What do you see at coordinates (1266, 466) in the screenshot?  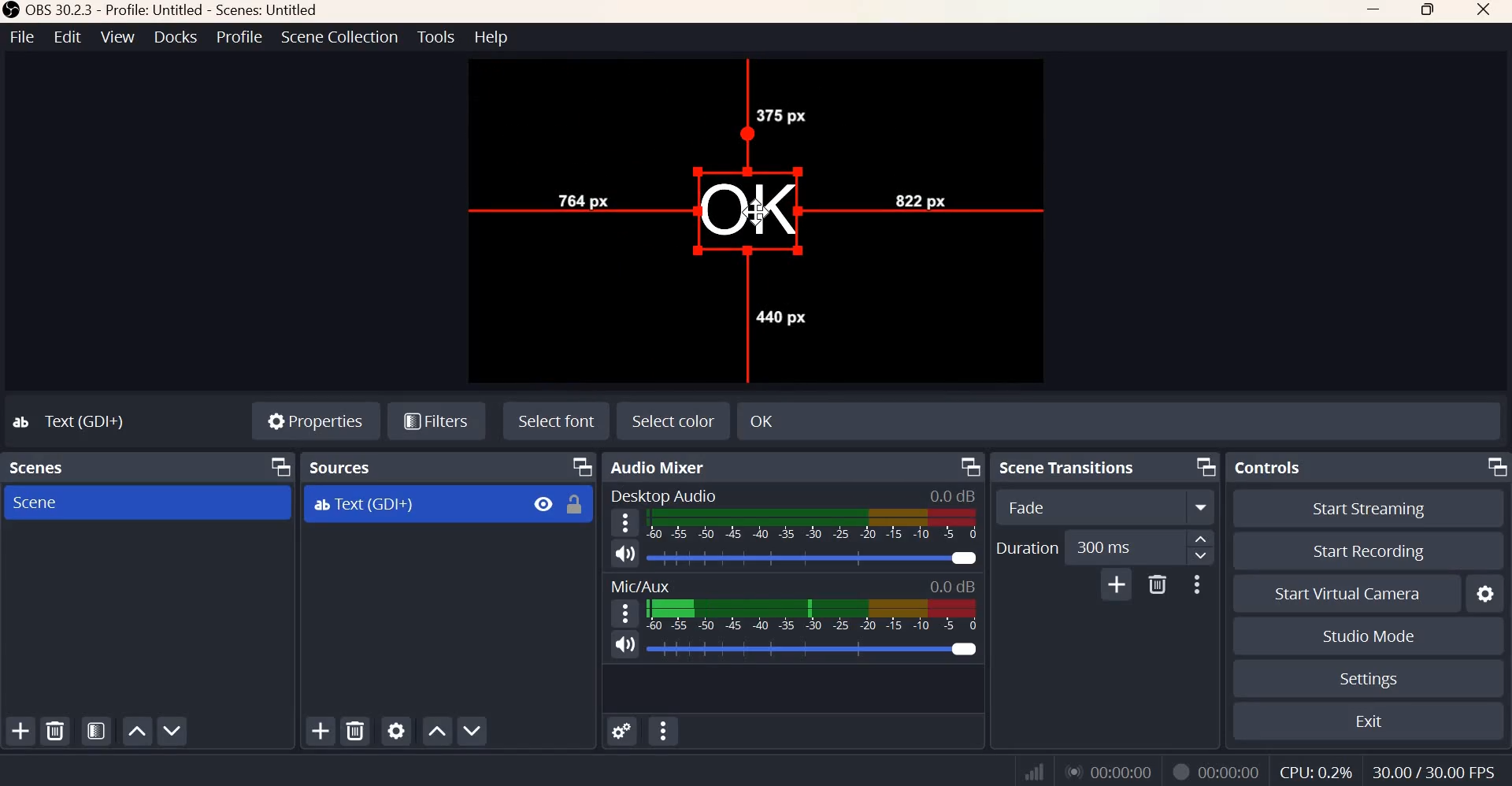 I see `controls` at bounding box center [1266, 466].